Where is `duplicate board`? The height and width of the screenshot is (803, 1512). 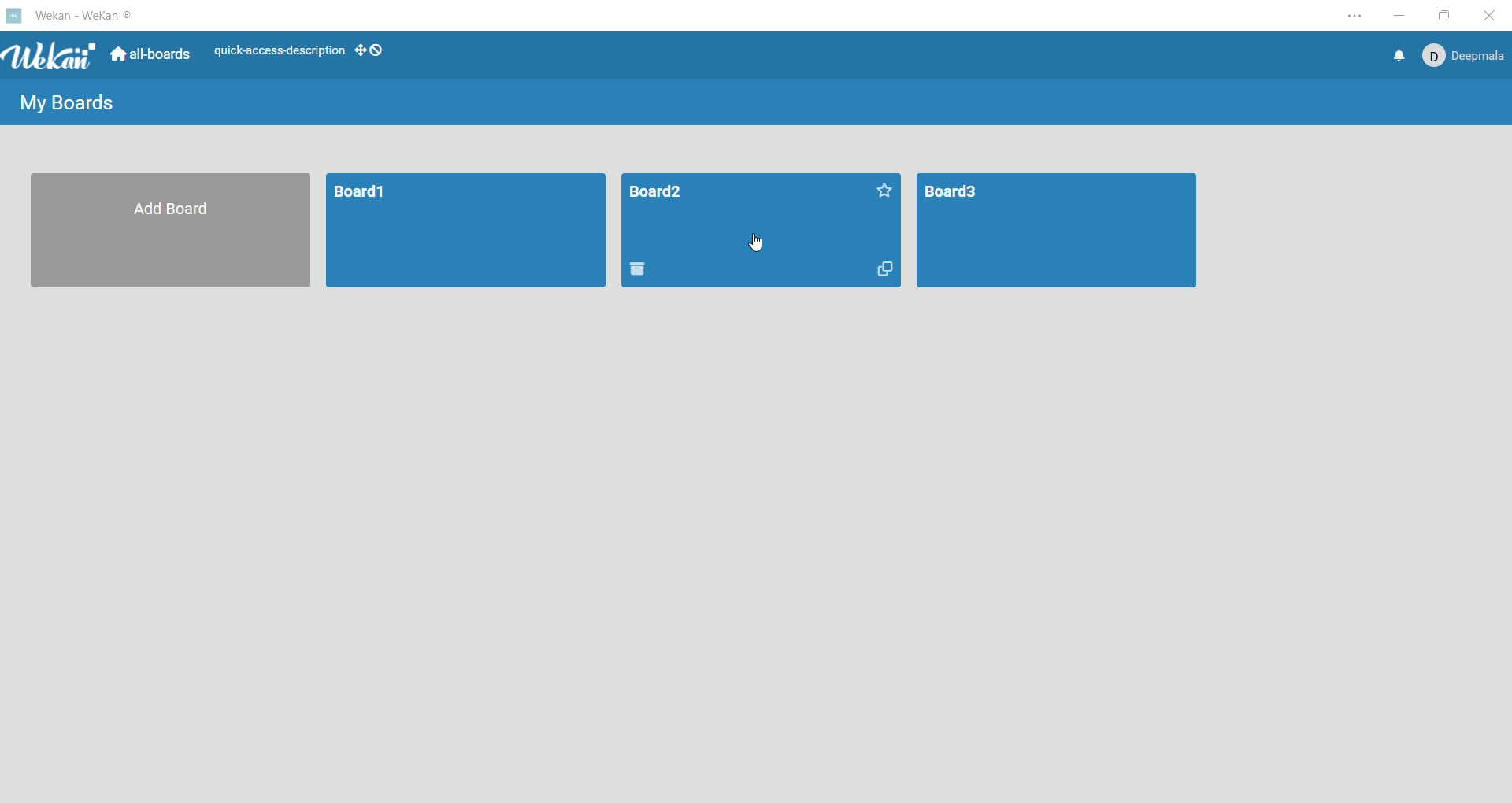
duplicate board is located at coordinates (884, 266).